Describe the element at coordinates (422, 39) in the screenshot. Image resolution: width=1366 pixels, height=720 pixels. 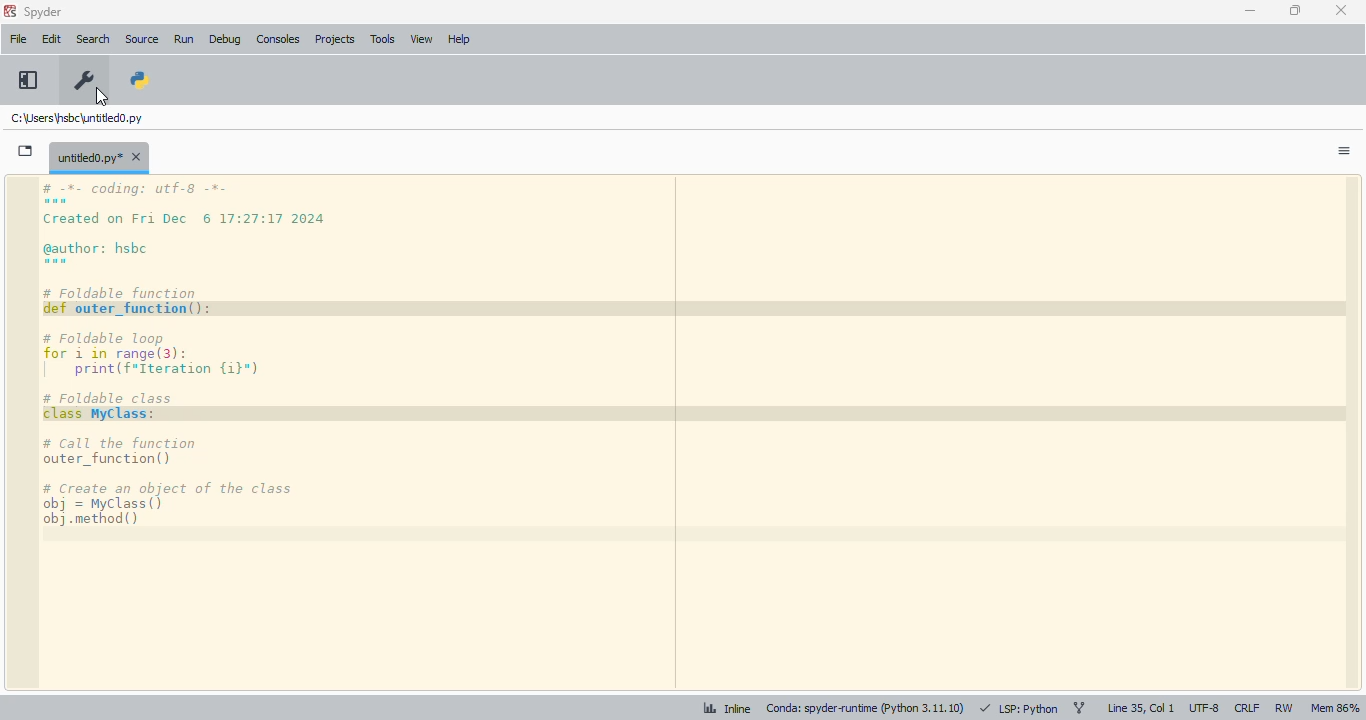
I see `view` at that location.